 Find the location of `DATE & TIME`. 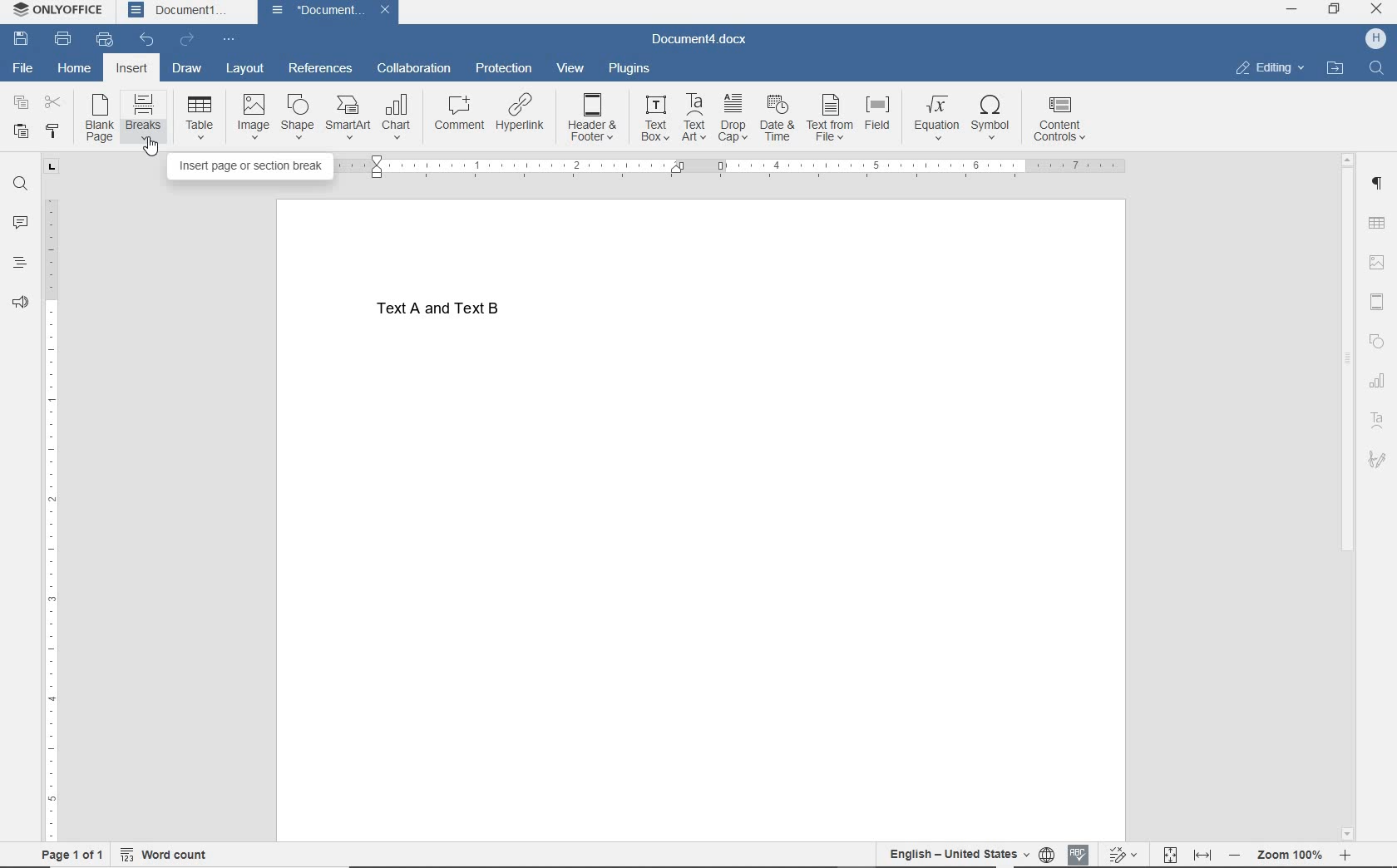

DATE & TIME is located at coordinates (778, 121).